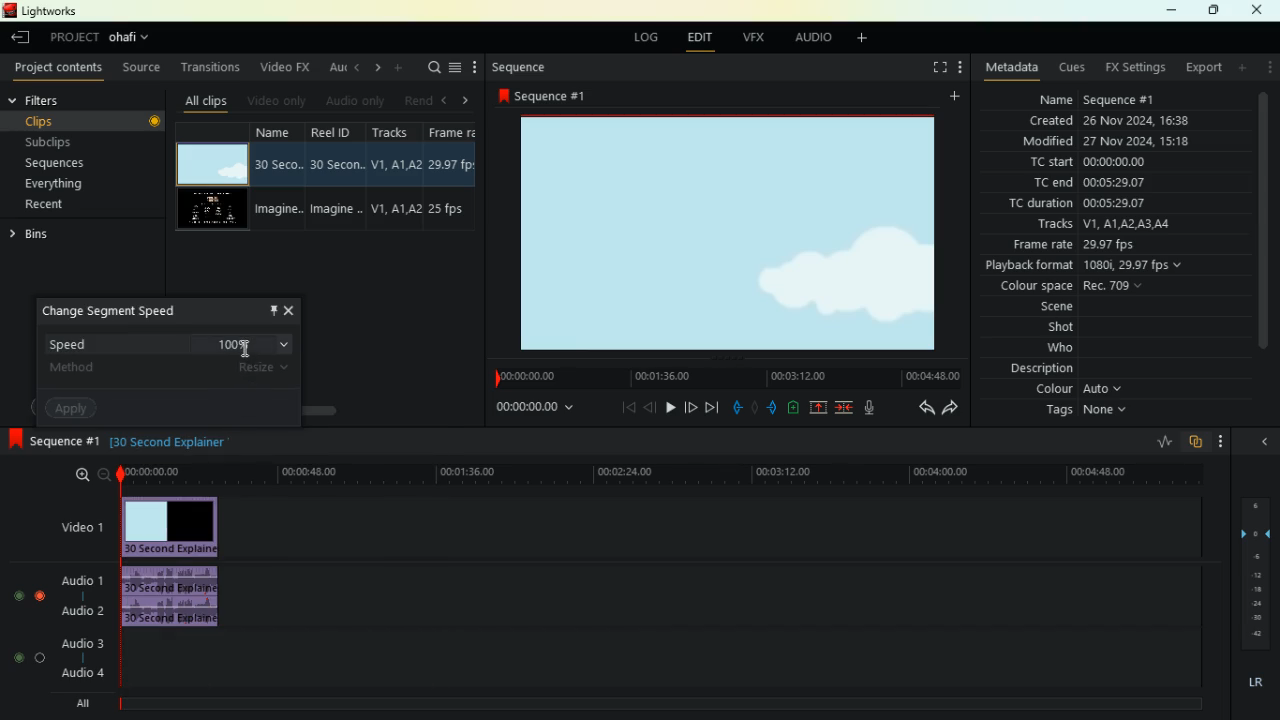 This screenshot has width=1280, height=720. What do you see at coordinates (1042, 369) in the screenshot?
I see `description` at bounding box center [1042, 369].